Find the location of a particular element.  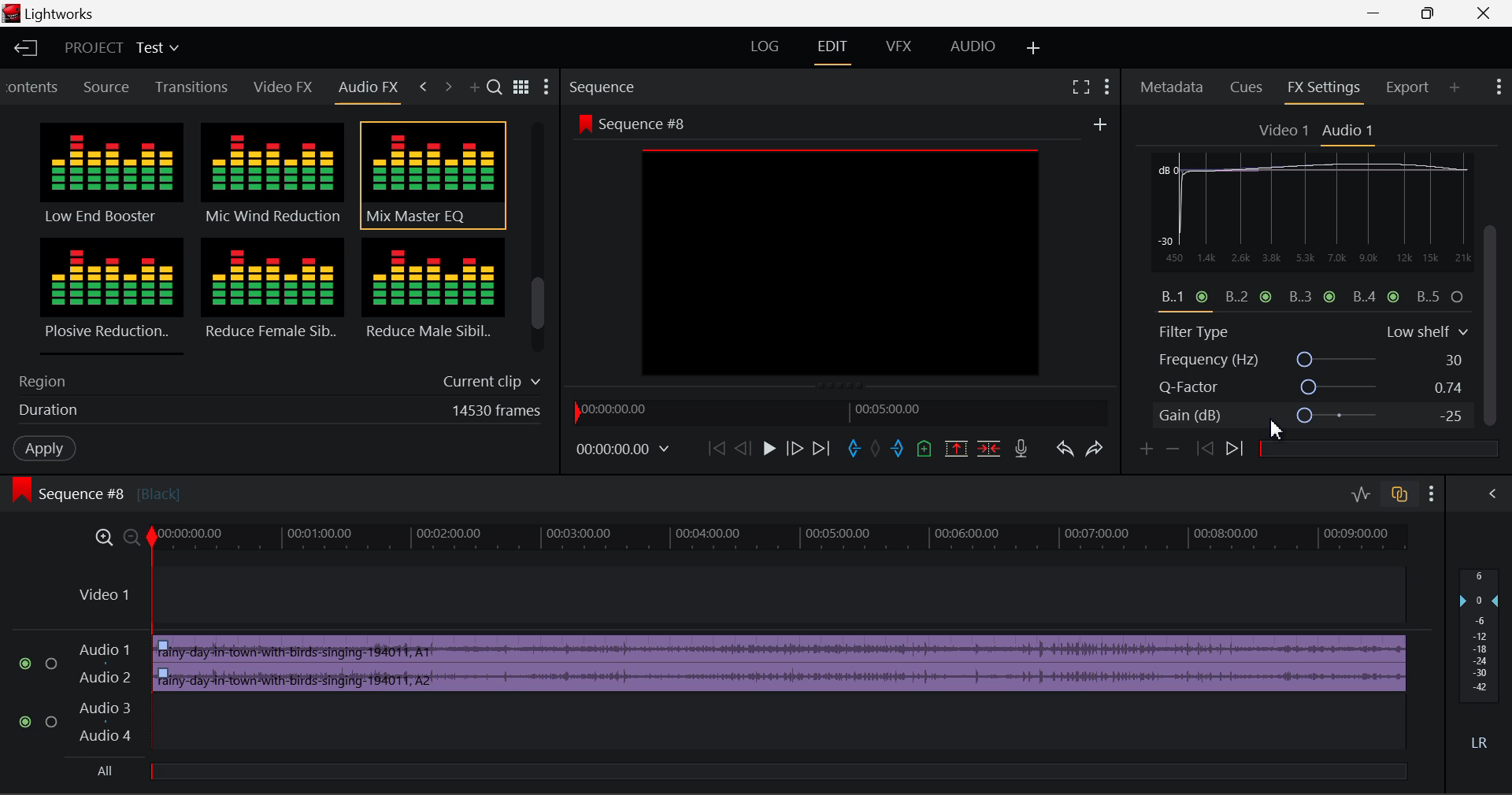

Toggle Auto Track Sync is located at coordinates (1399, 495).